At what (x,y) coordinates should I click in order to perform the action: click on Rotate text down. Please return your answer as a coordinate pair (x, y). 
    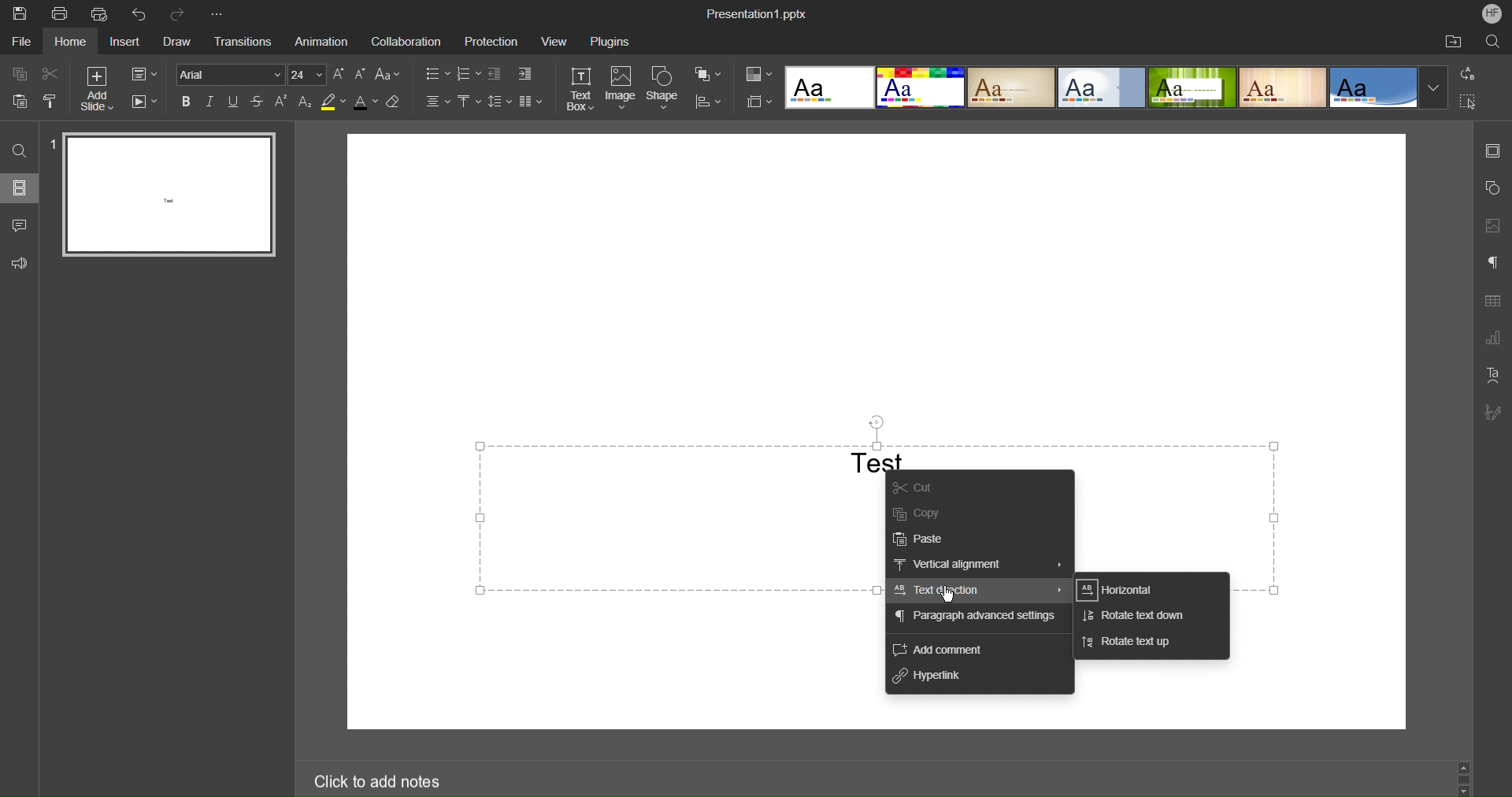
    Looking at the image, I should click on (1133, 617).